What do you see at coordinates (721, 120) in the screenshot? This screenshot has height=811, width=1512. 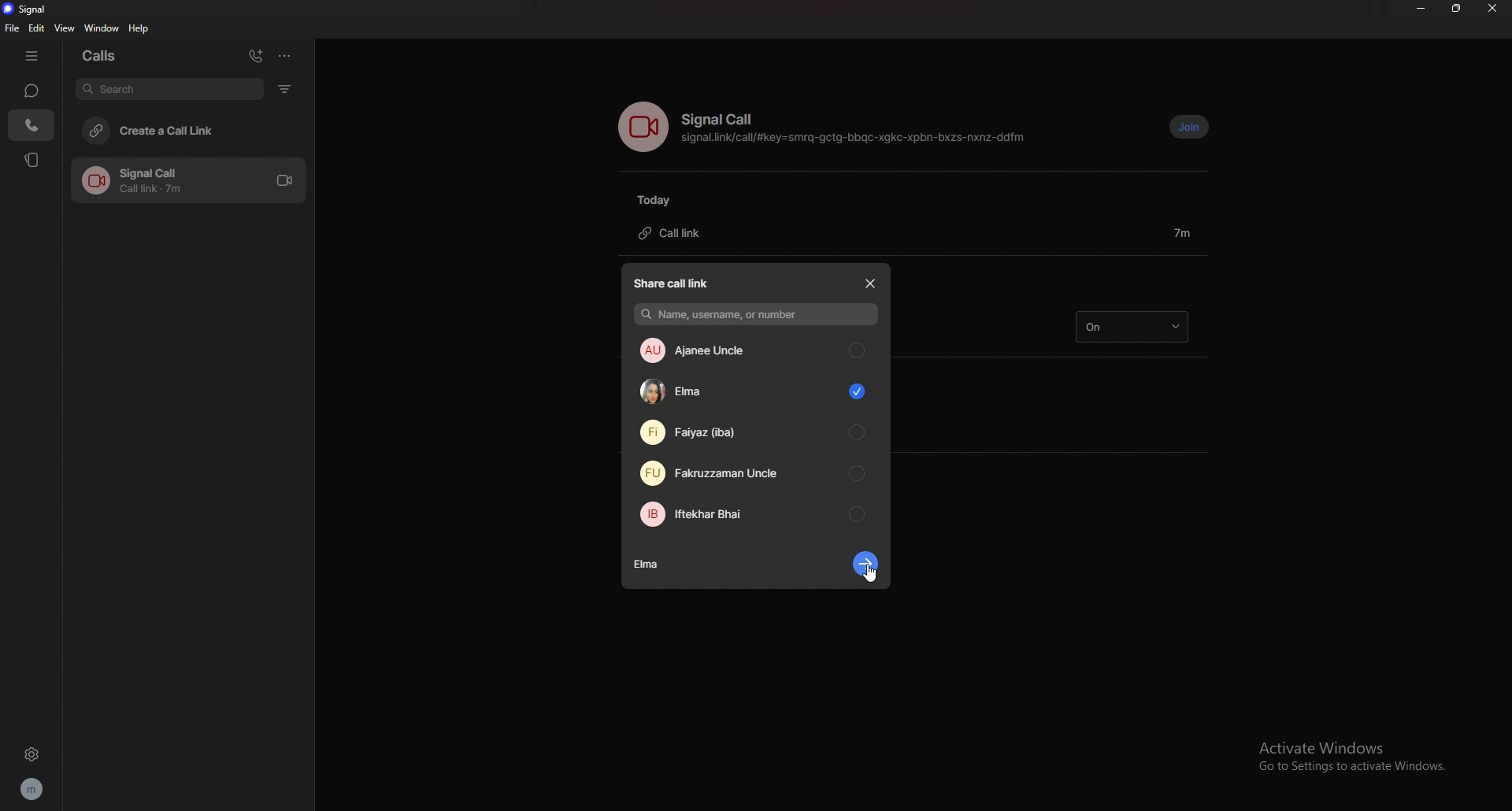 I see `signal call` at bounding box center [721, 120].